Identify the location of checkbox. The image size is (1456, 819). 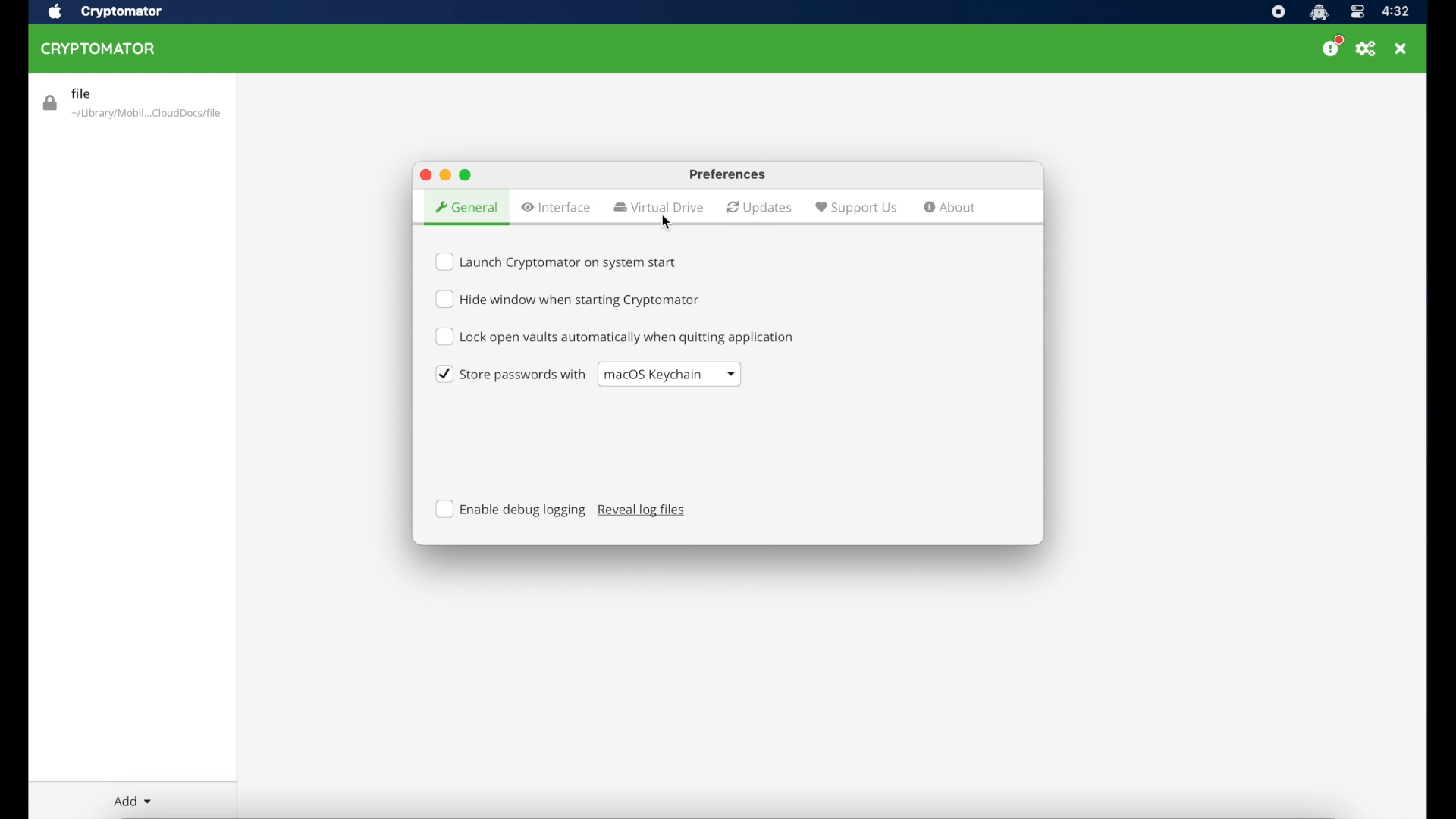
(567, 300).